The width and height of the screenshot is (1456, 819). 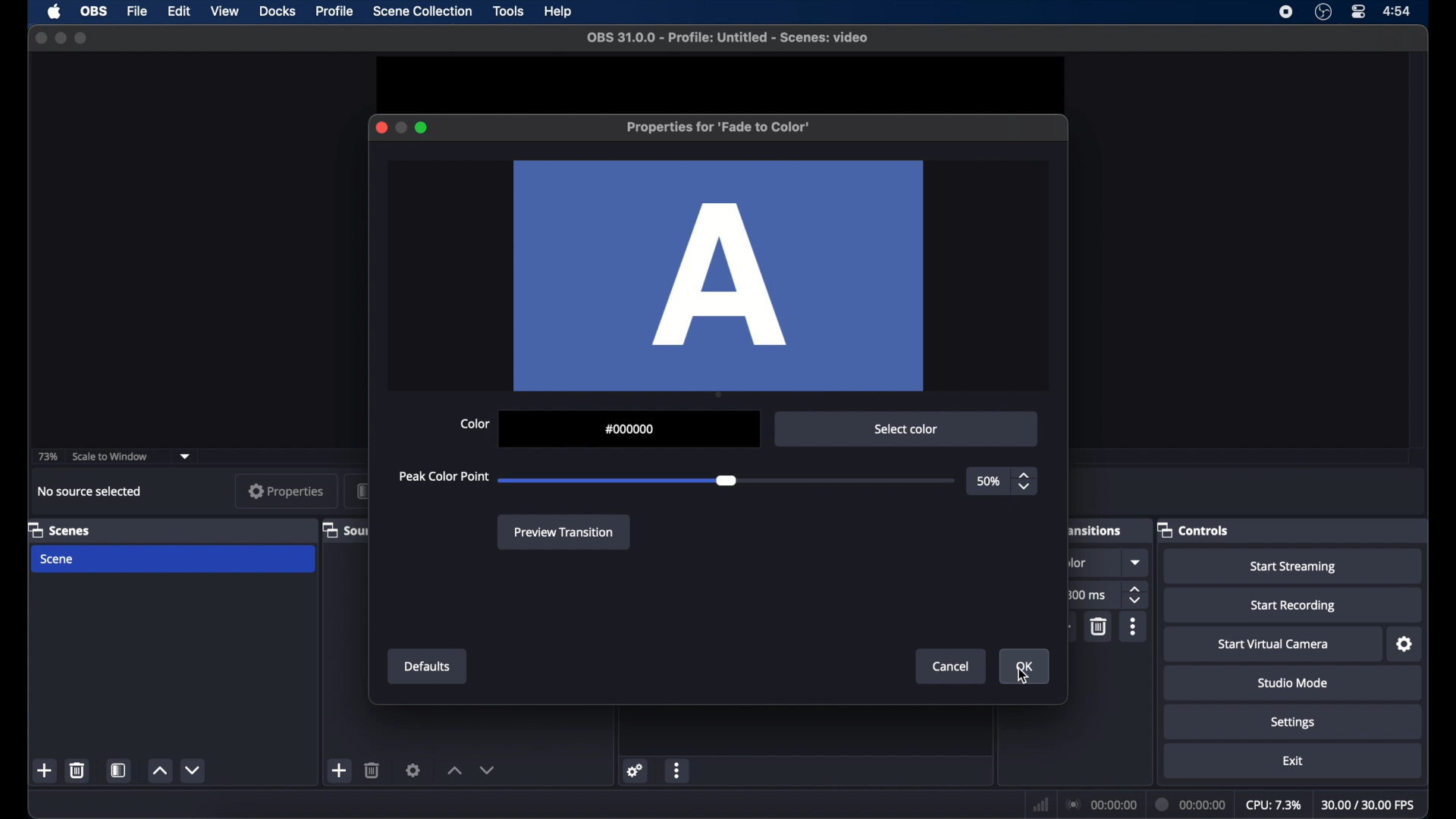 What do you see at coordinates (907, 429) in the screenshot?
I see `select color` at bounding box center [907, 429].